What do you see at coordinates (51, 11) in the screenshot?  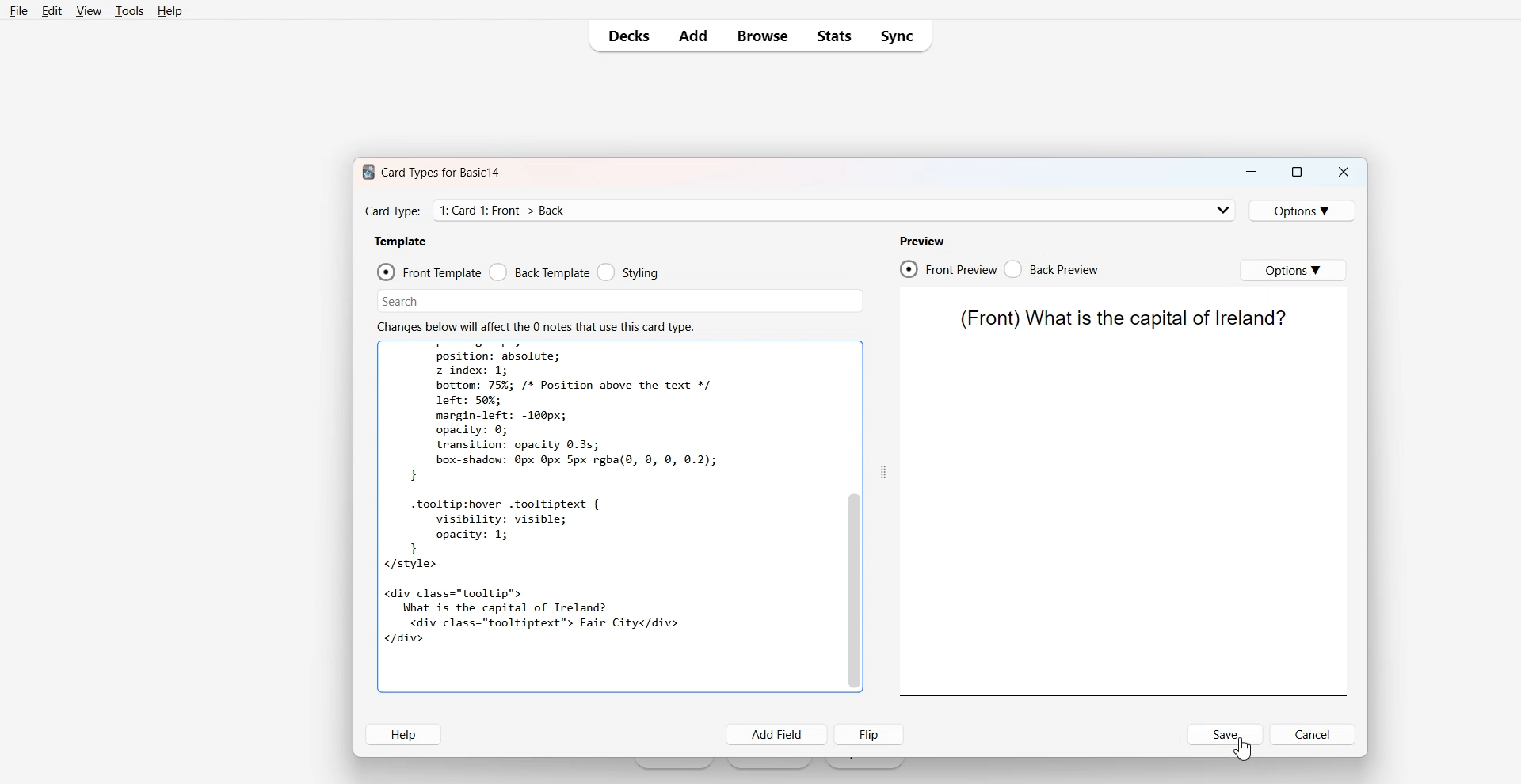 I see `Edit` at bounding box center [51, 11].